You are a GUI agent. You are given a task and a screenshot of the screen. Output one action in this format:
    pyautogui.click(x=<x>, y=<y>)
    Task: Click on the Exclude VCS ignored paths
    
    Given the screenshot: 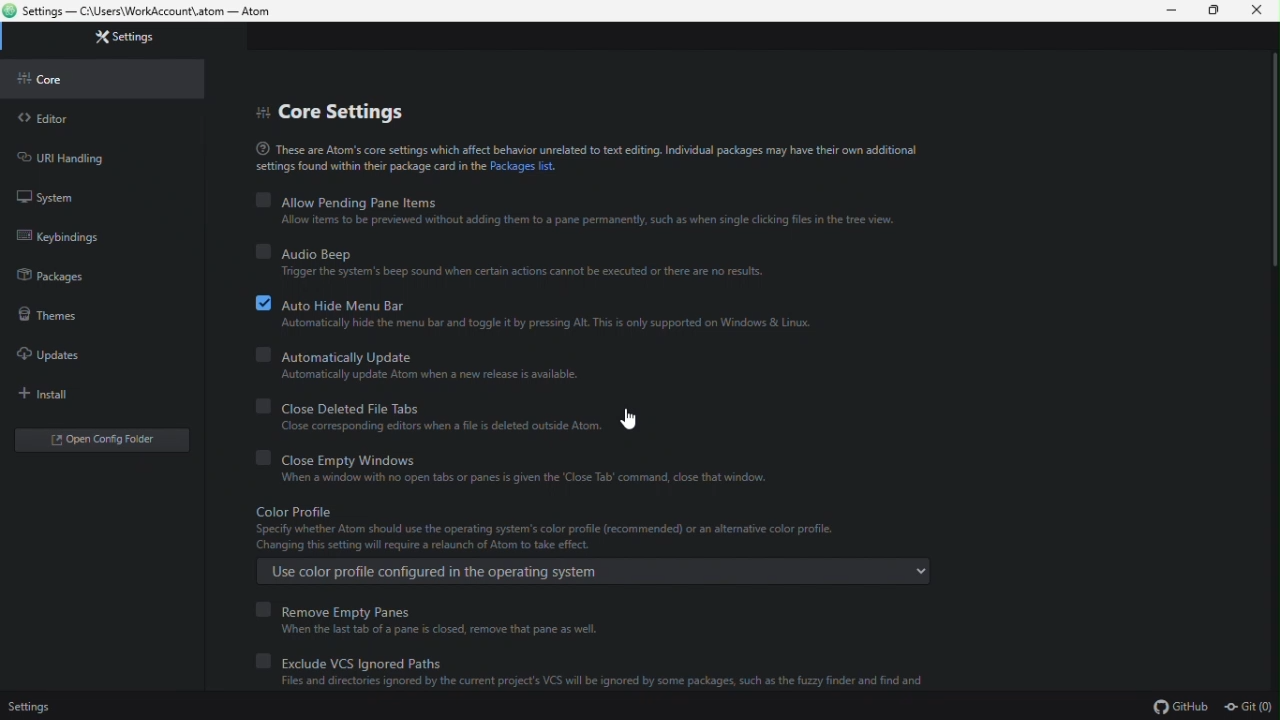 What is the action you would take?
    pyautogui.click(x=361, y=658)
    